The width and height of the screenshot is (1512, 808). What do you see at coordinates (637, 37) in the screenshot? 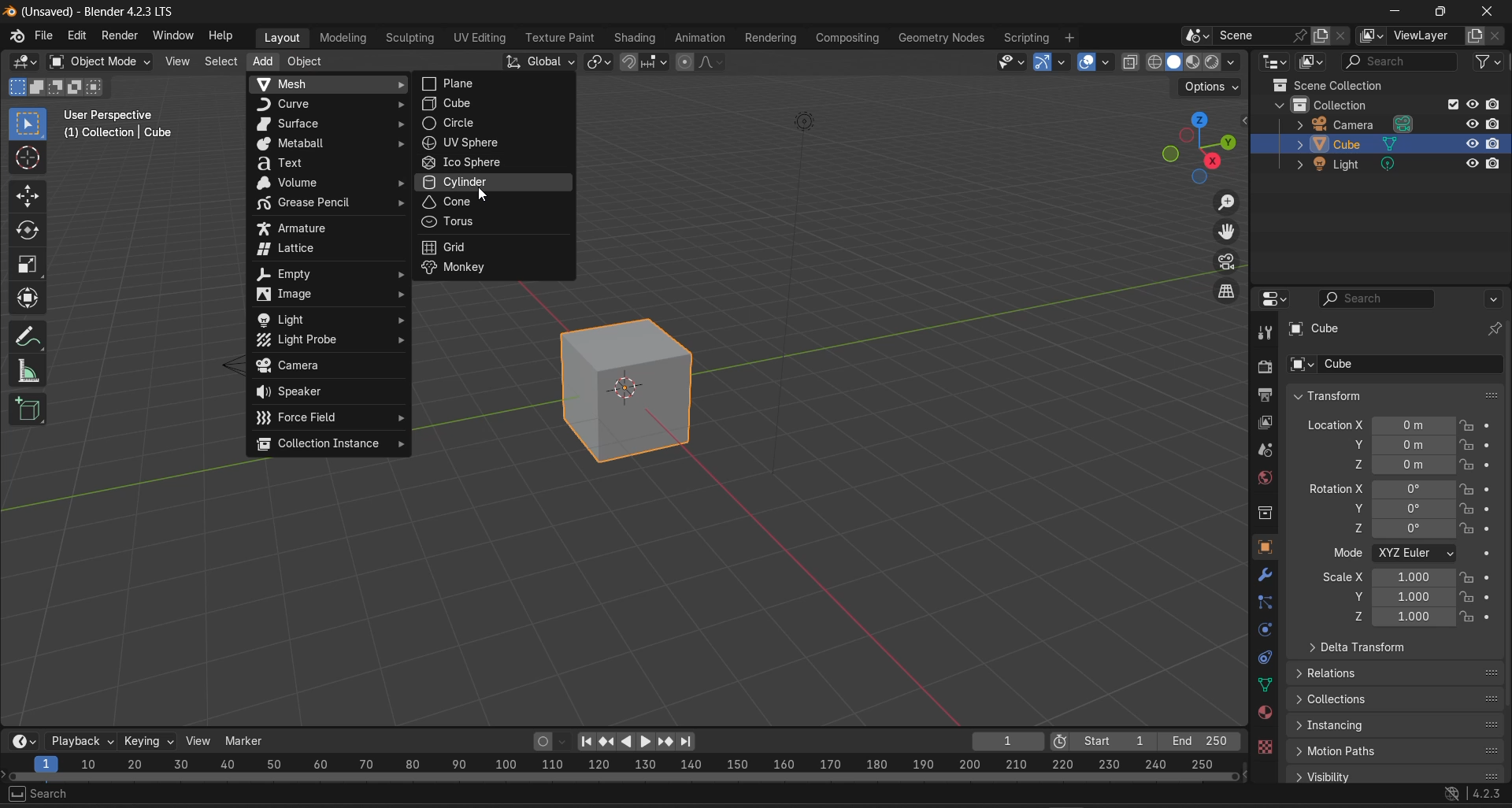
I see `shading` at bounding box center [637, 37].